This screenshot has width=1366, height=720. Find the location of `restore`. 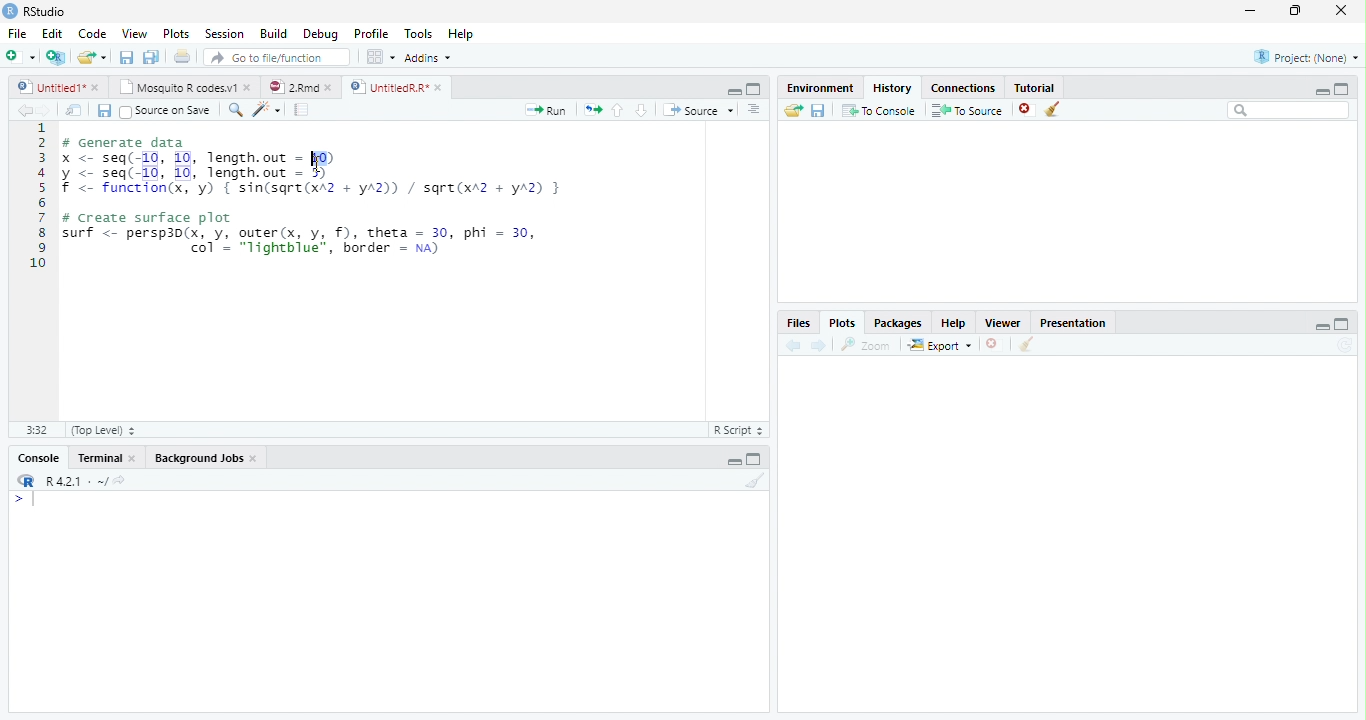

restore is located at coordinates (1295, 10).